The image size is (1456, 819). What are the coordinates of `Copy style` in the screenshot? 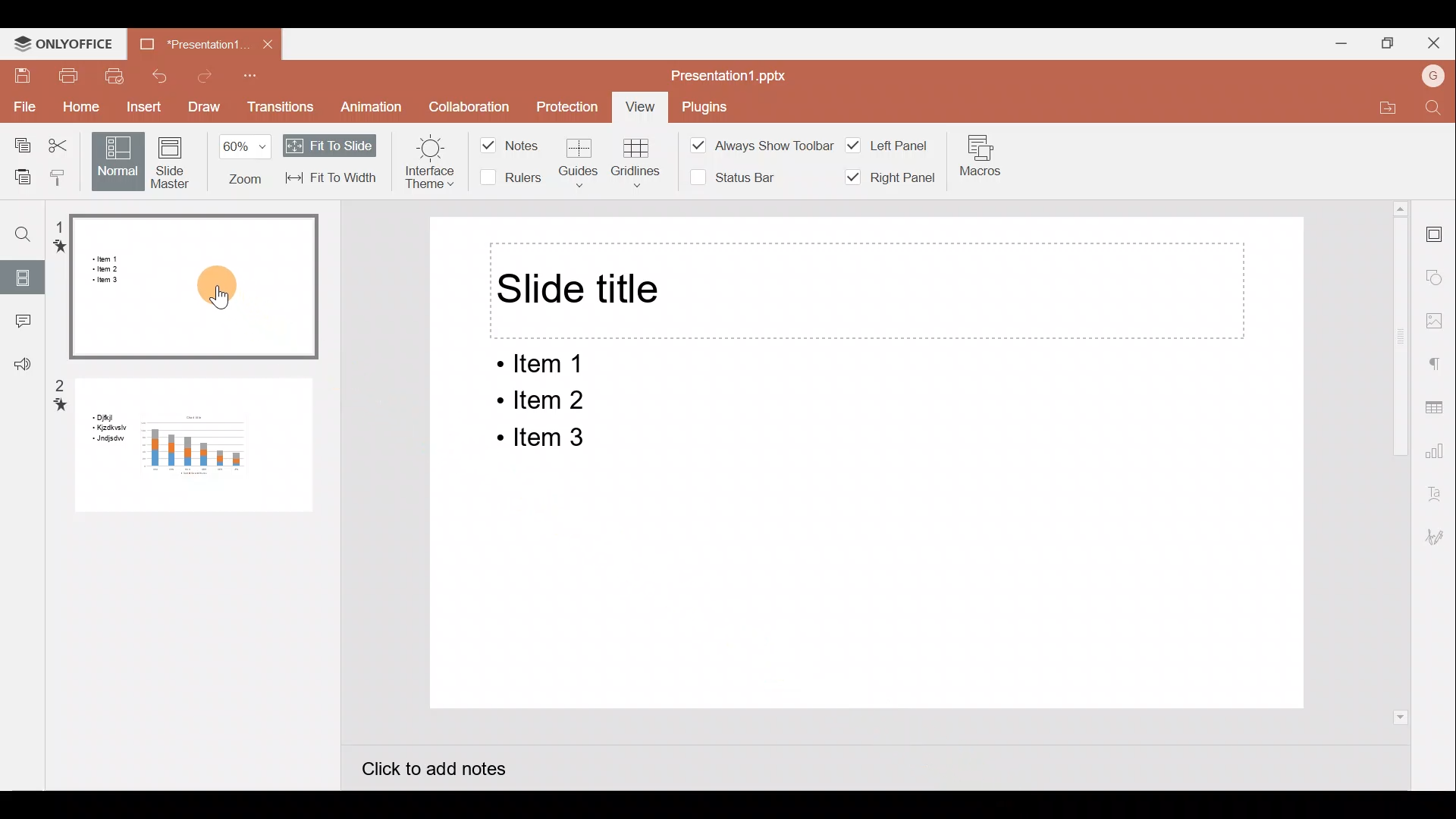 It's located at (64, 178).